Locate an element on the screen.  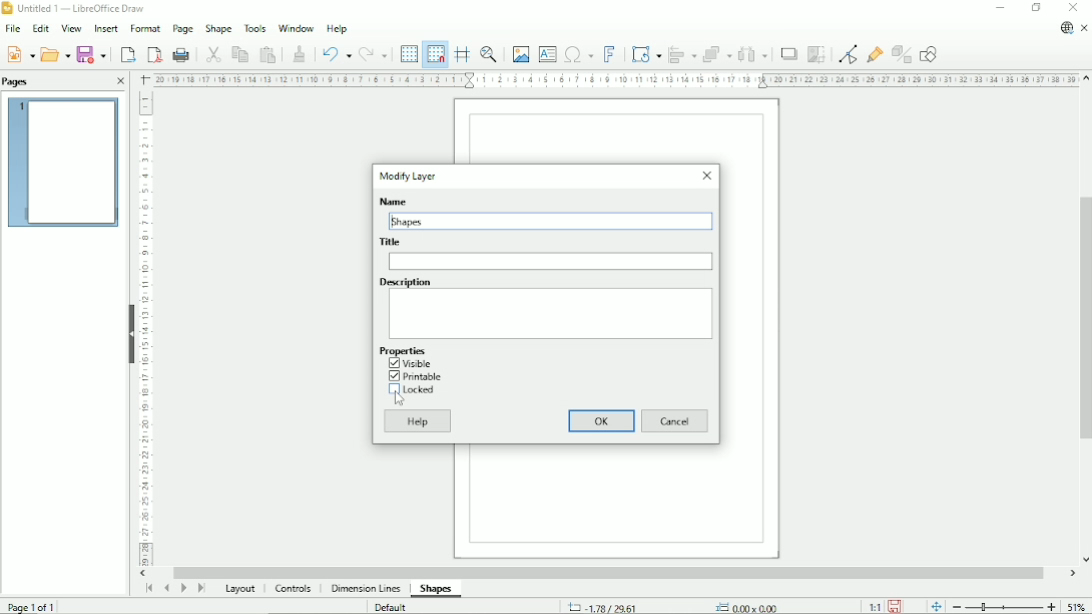
Tools is located at coordinates (254, 29).